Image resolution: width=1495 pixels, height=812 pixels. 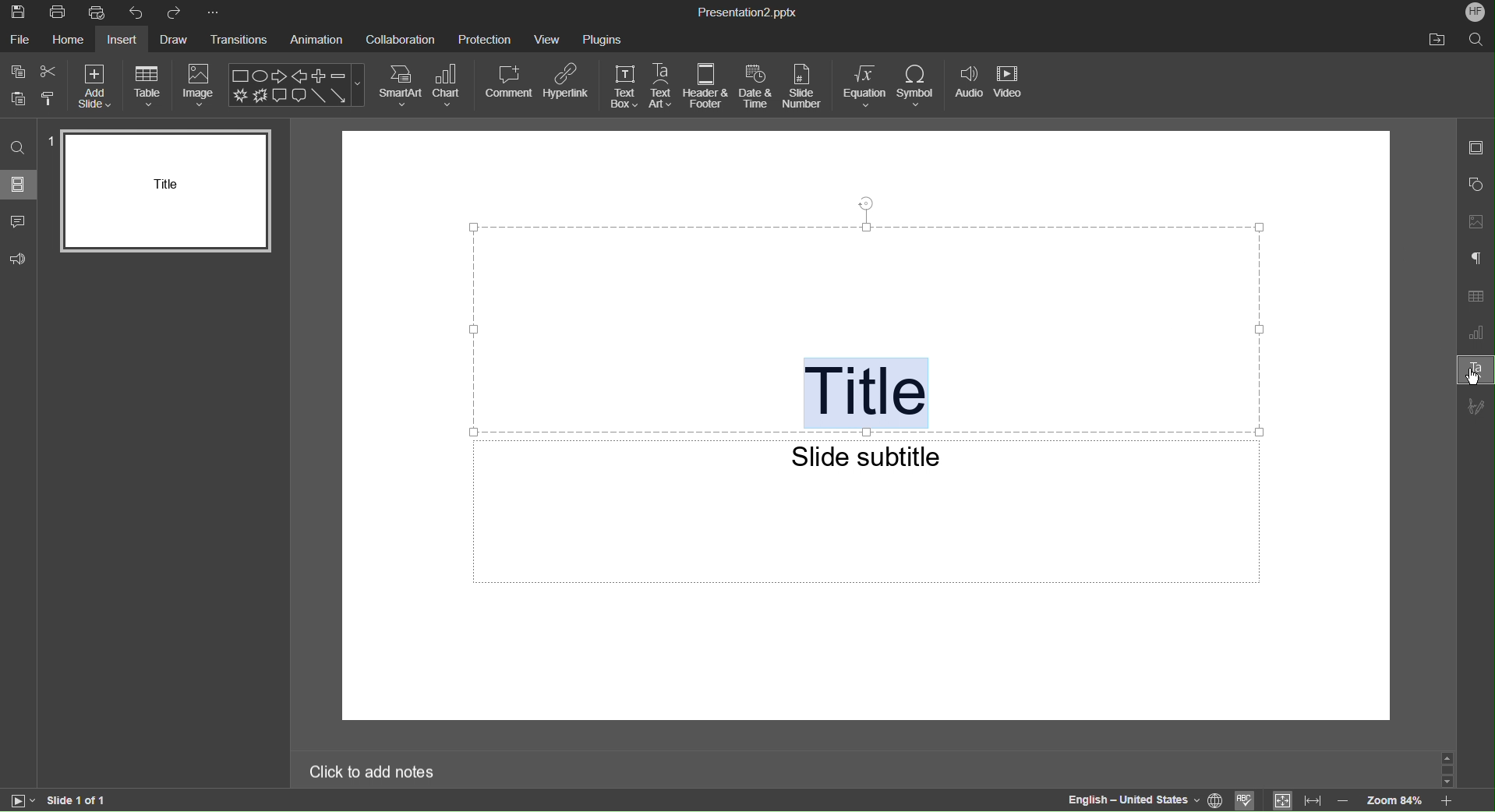 I want to click on Slides, so click(x=1478, y=148).